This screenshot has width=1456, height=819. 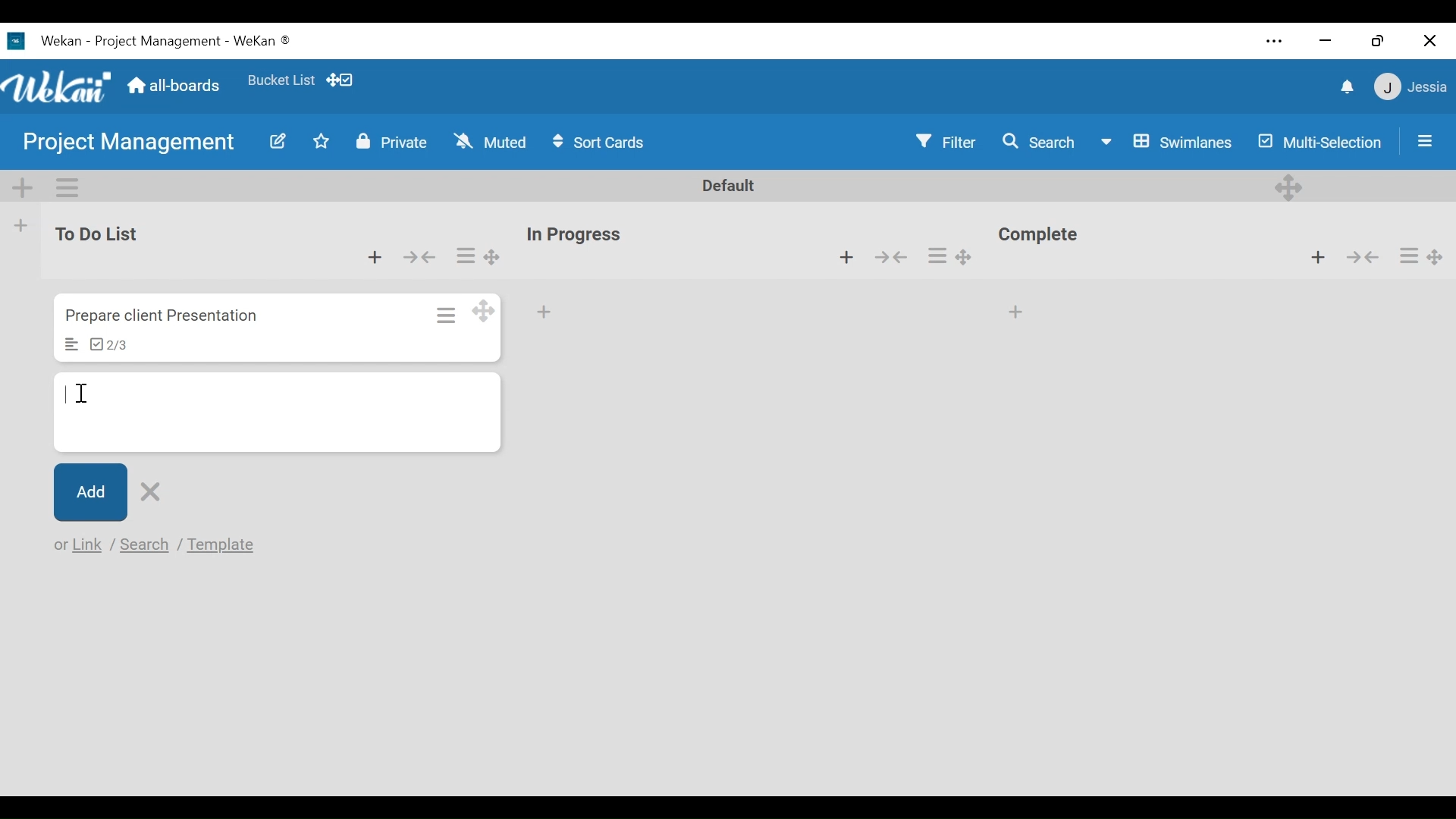 I want to click on swimlanes, so click(x=1166, y=141).